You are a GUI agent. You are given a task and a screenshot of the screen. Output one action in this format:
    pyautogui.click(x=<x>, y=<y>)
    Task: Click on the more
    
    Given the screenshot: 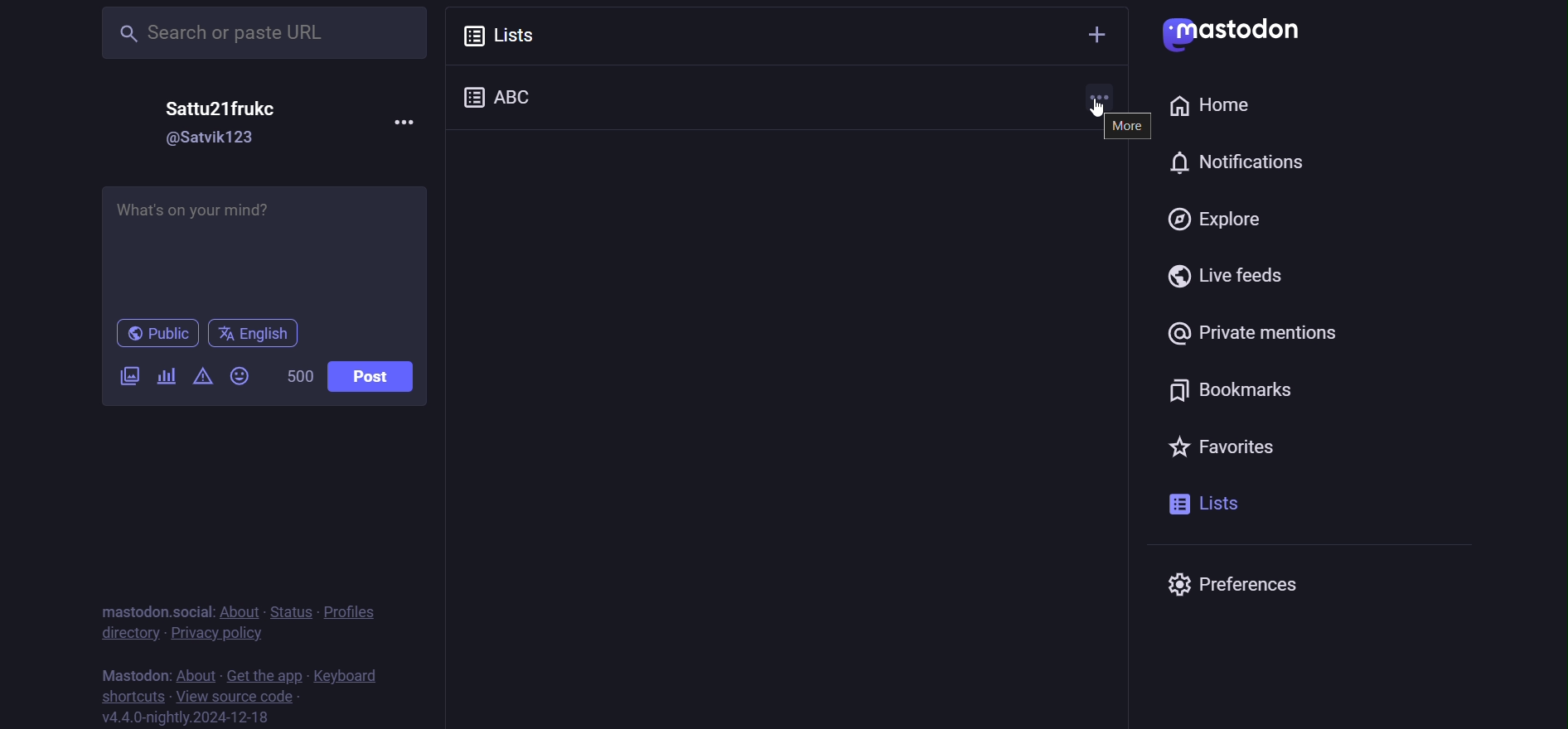 What is the action you would take?
    pyautogui.click(x=1101, y=98)
    